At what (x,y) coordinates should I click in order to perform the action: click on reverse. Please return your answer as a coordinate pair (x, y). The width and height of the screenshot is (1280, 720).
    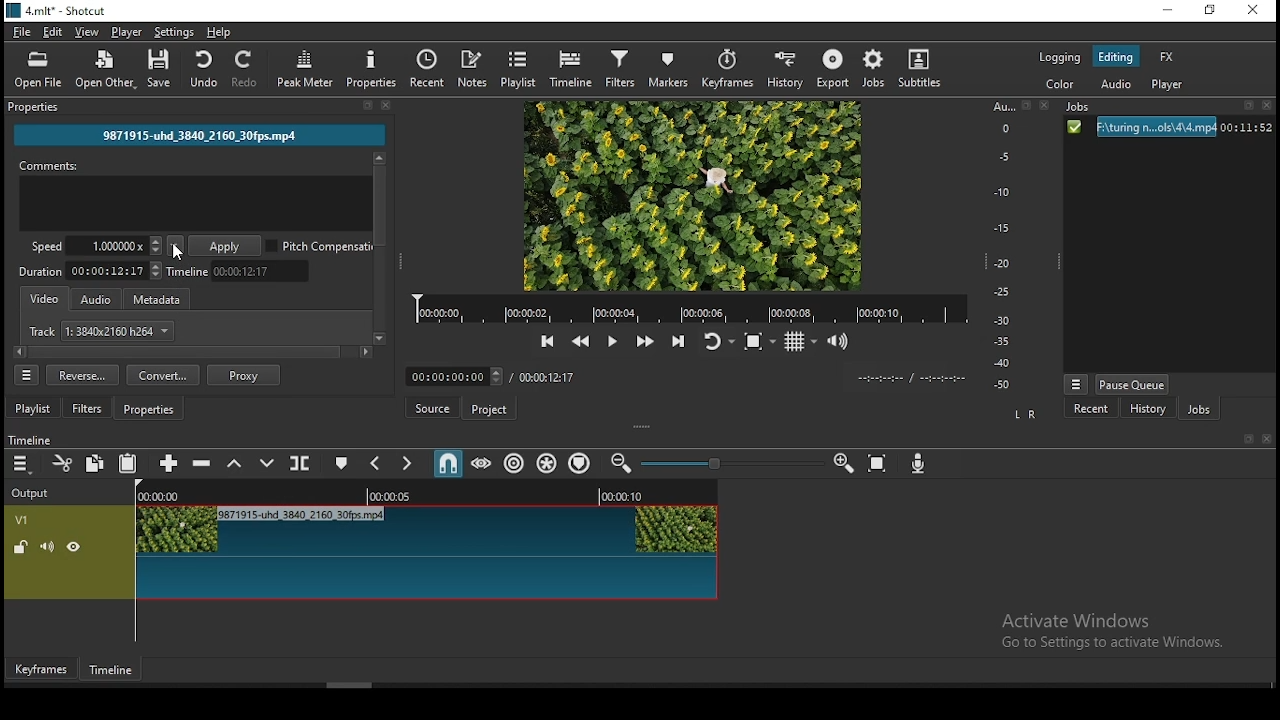
    Looking at the image, I should click on (83, 375).